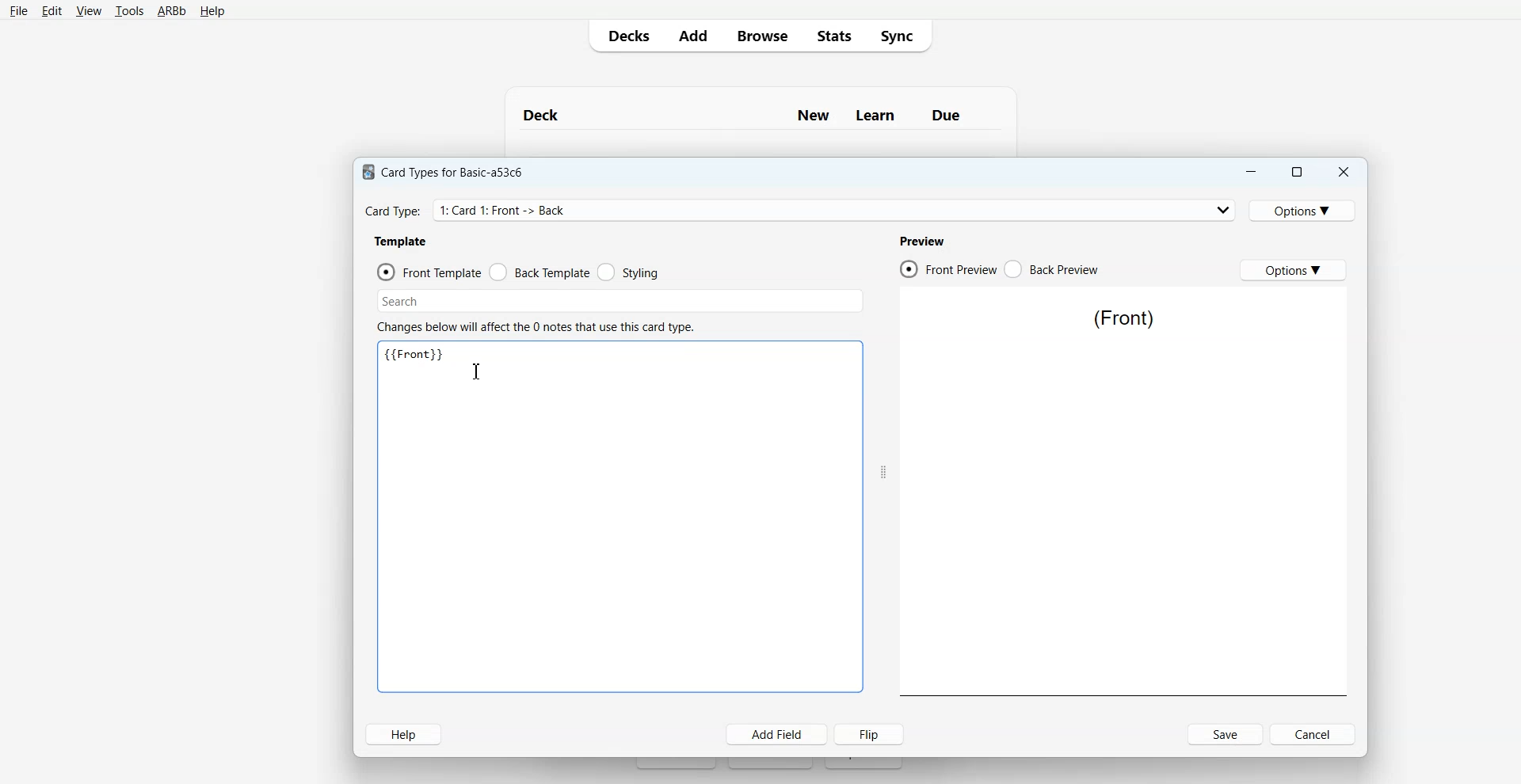 Image resolution: width=1521 pixels, height=784 pixels. I want to click on Cancel, so click(1315, 733).